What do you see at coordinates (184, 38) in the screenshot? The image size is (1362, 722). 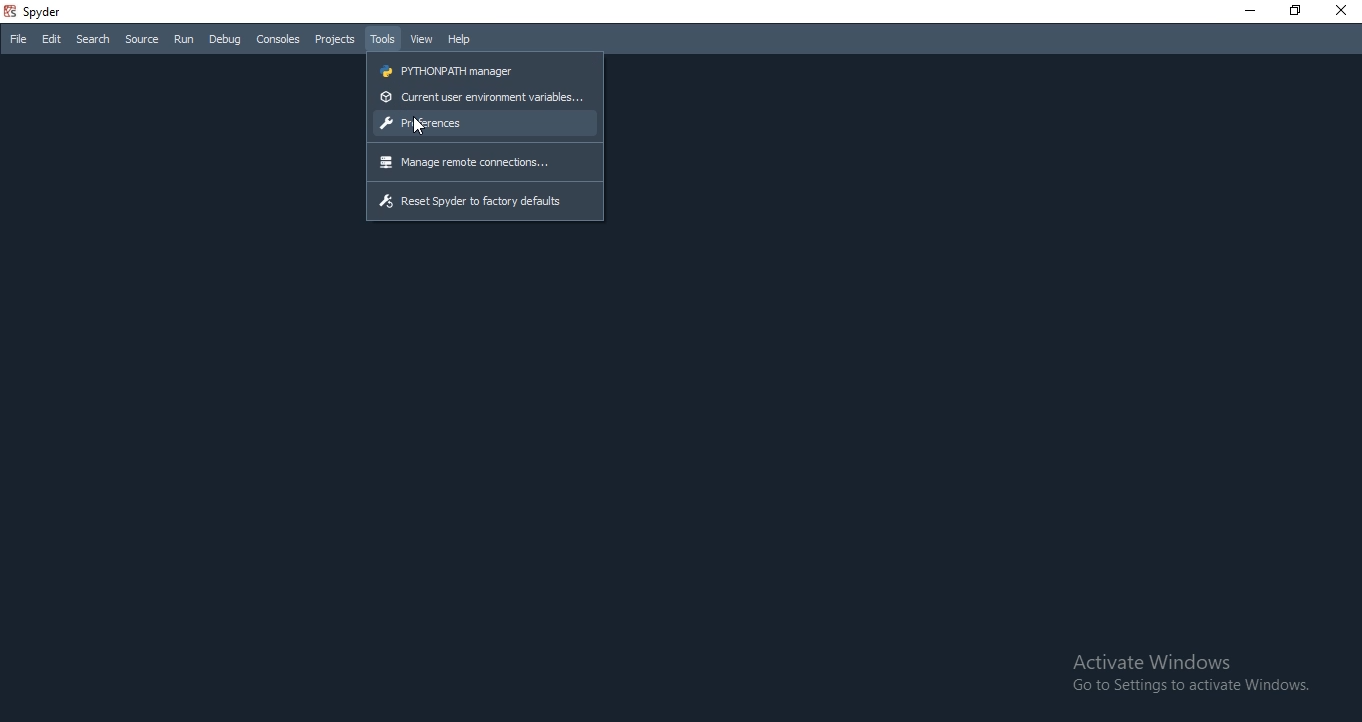 I see `Run` at bounding box center [184, 38].